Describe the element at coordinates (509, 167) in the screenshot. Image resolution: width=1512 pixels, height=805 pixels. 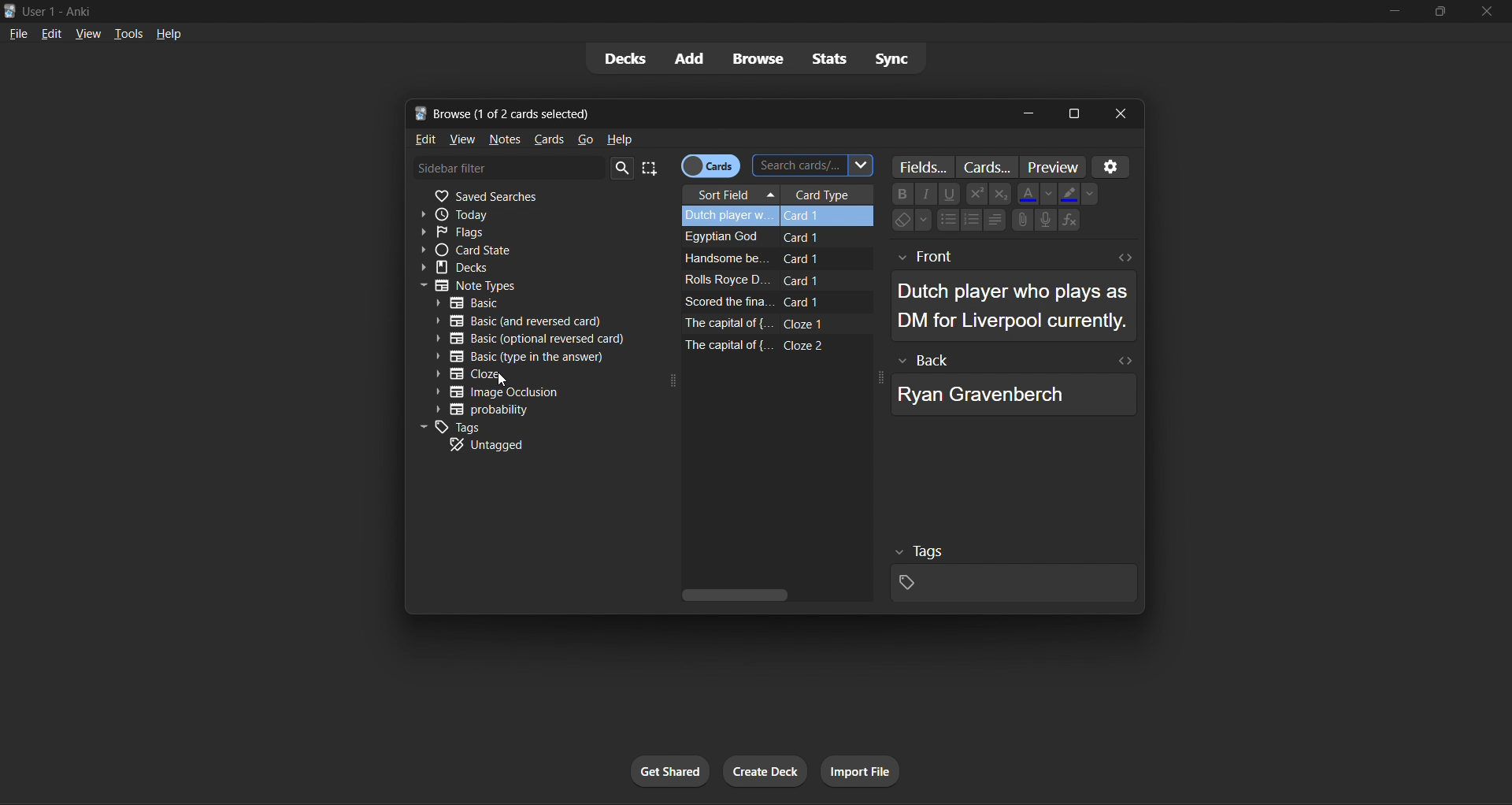
I see `sidebar filter` at that location.